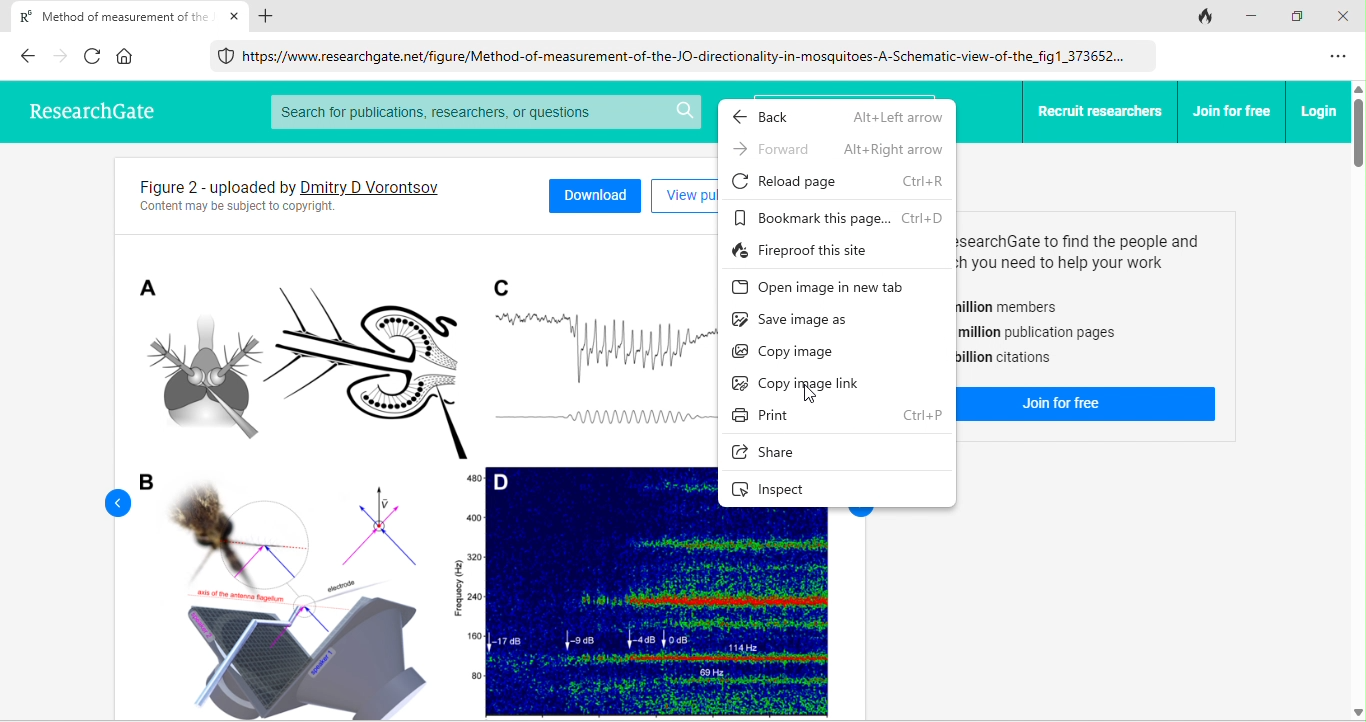 Image resolution: width=1366 pixels, height=722 pixels. What do you see at coordinates (1340, 57) in the screenshot?
I see `option` at bounding box center [1340, 57].